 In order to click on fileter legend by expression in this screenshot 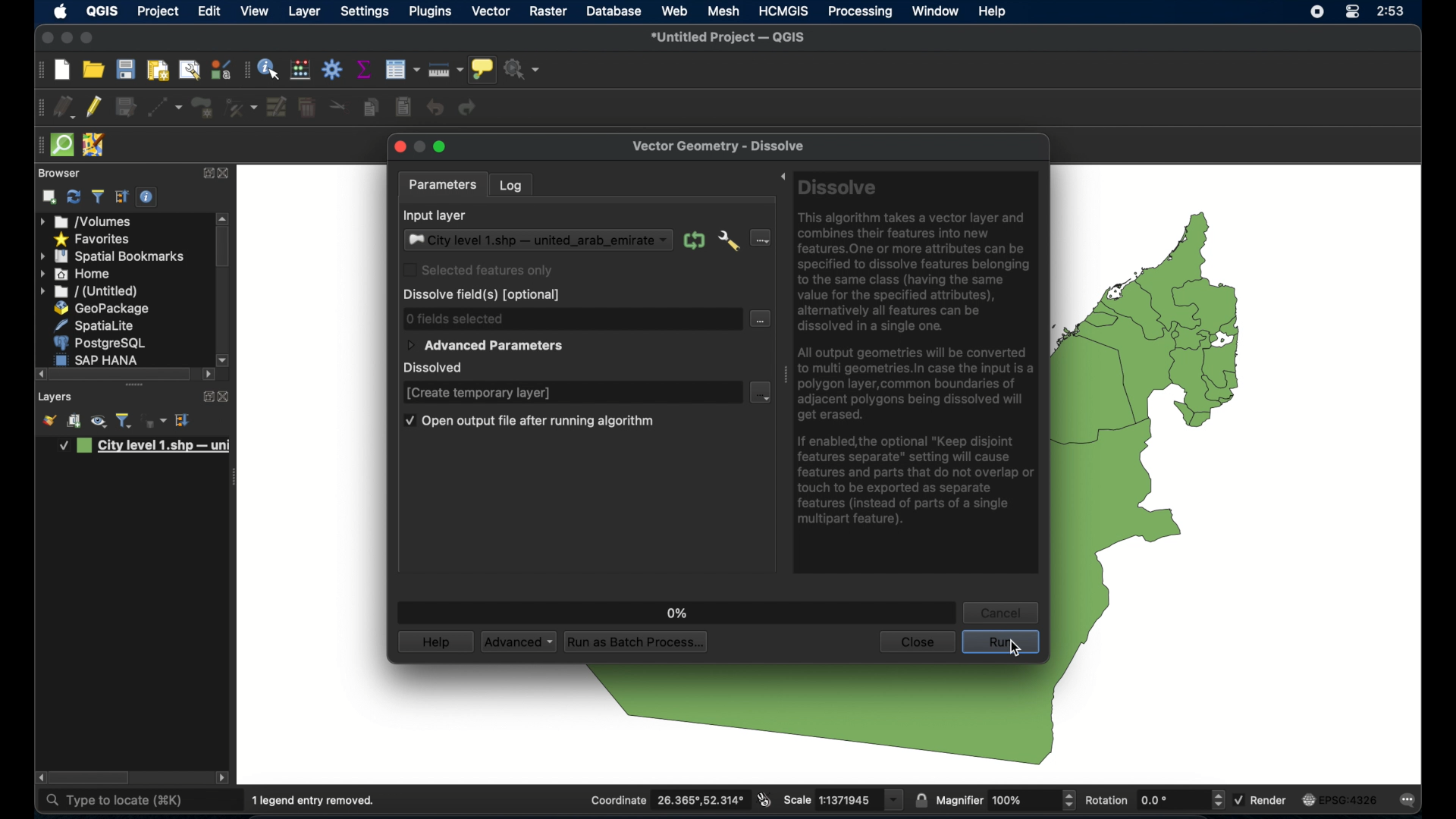, I will do `click(155, 422)`.